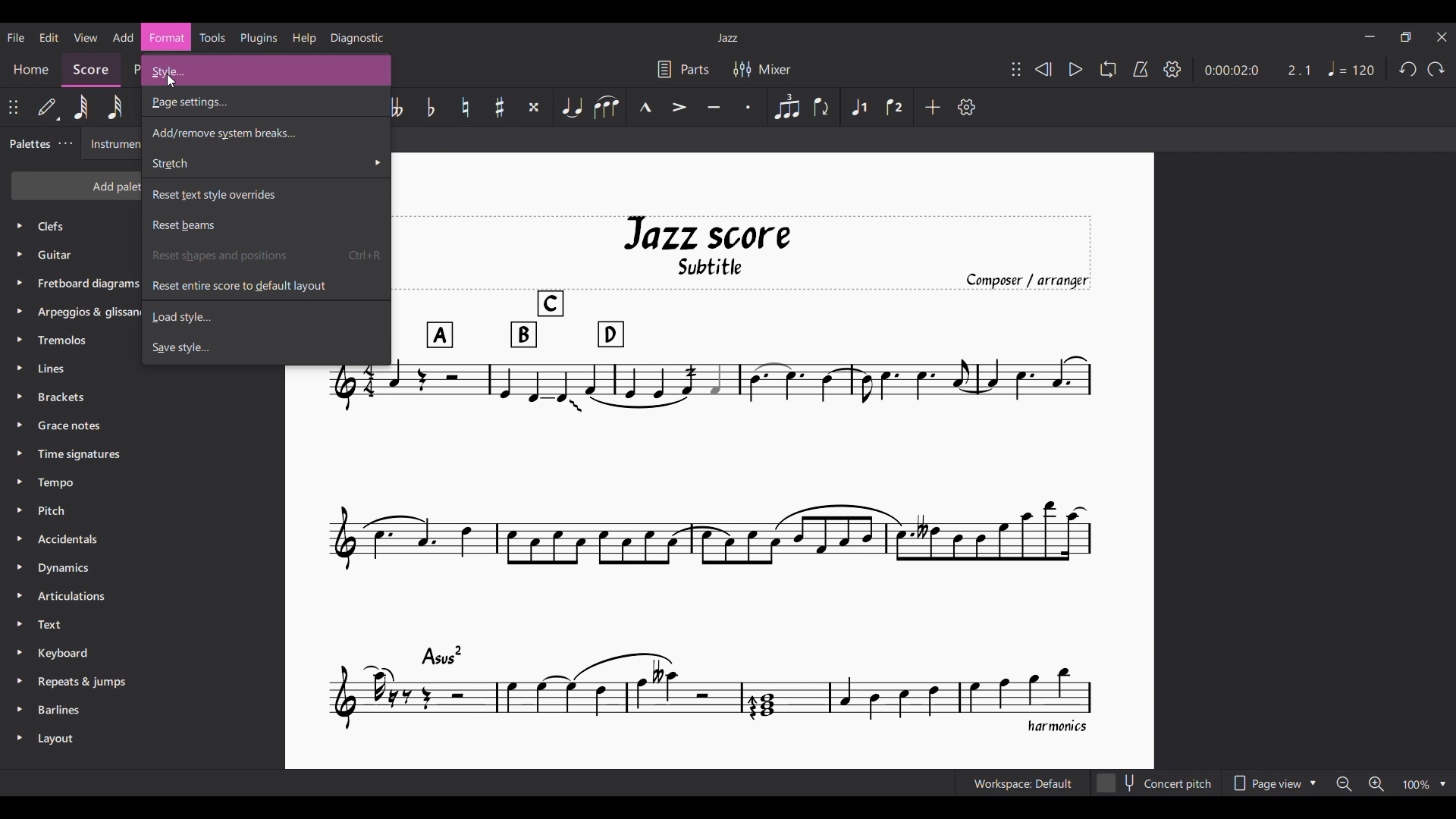 This screenshot has width=1456, height=819. I want to click on Add/Remove system breaks, so click(266, 132).